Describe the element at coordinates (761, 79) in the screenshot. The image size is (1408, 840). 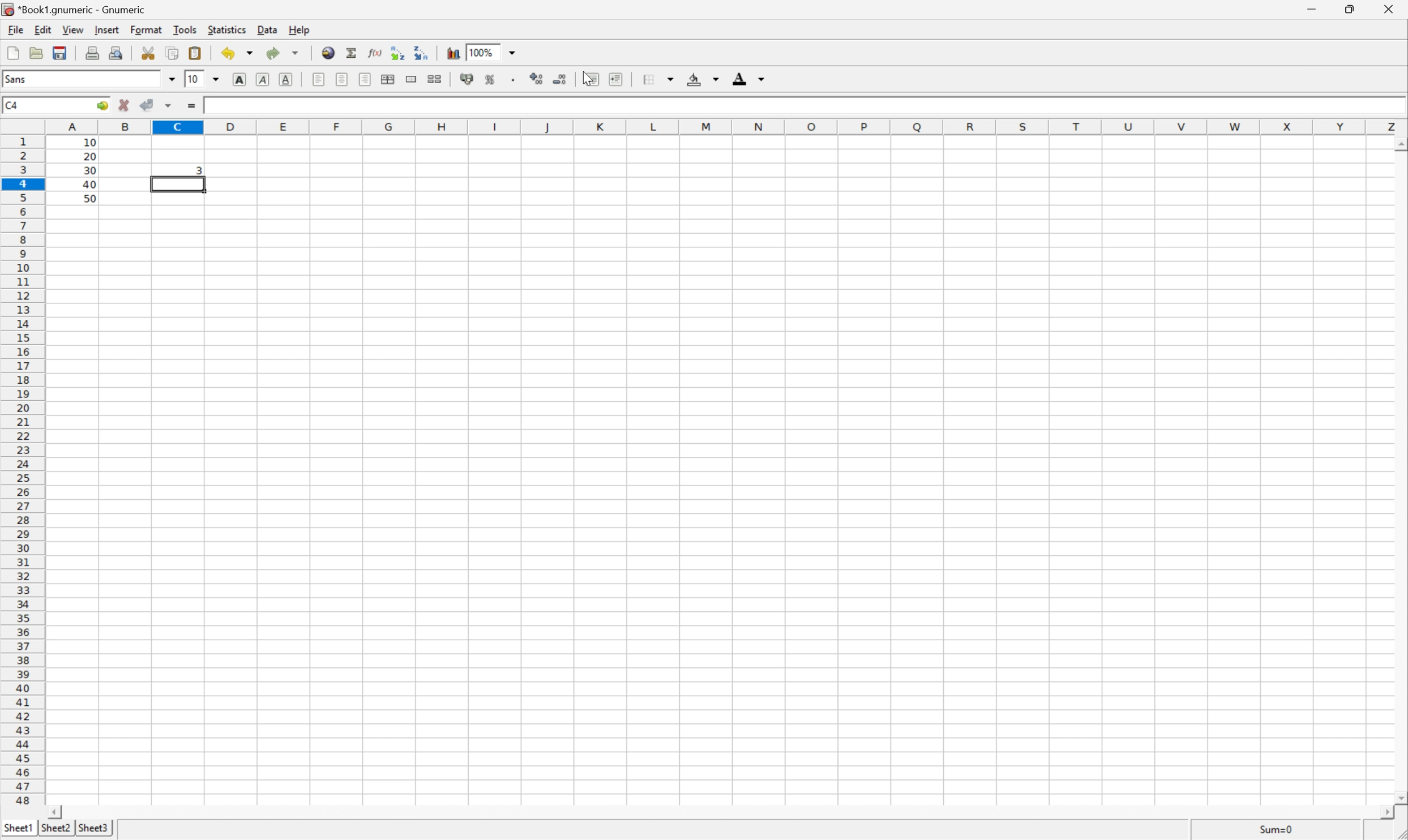
I see `Drop down` at that location.